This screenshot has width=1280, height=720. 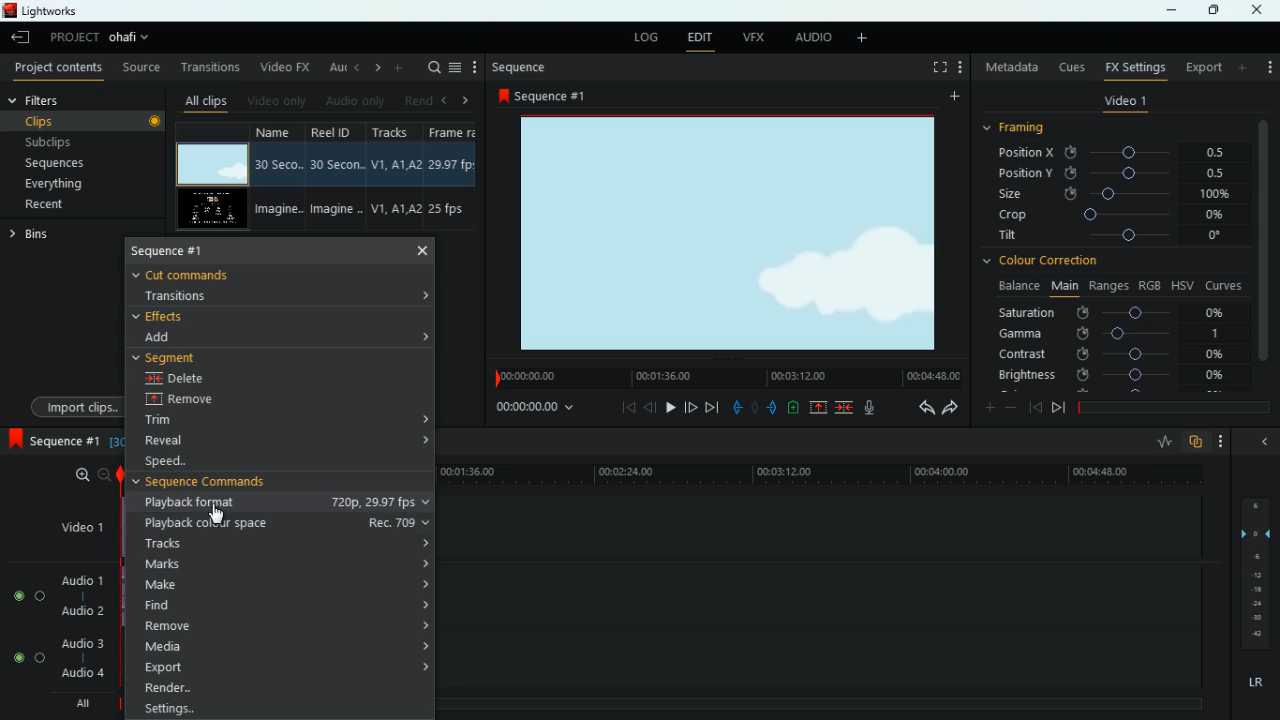 What do you see at coordinates (670, 408) in the screenshot?
I see `play` at bounding box center [670, 408].